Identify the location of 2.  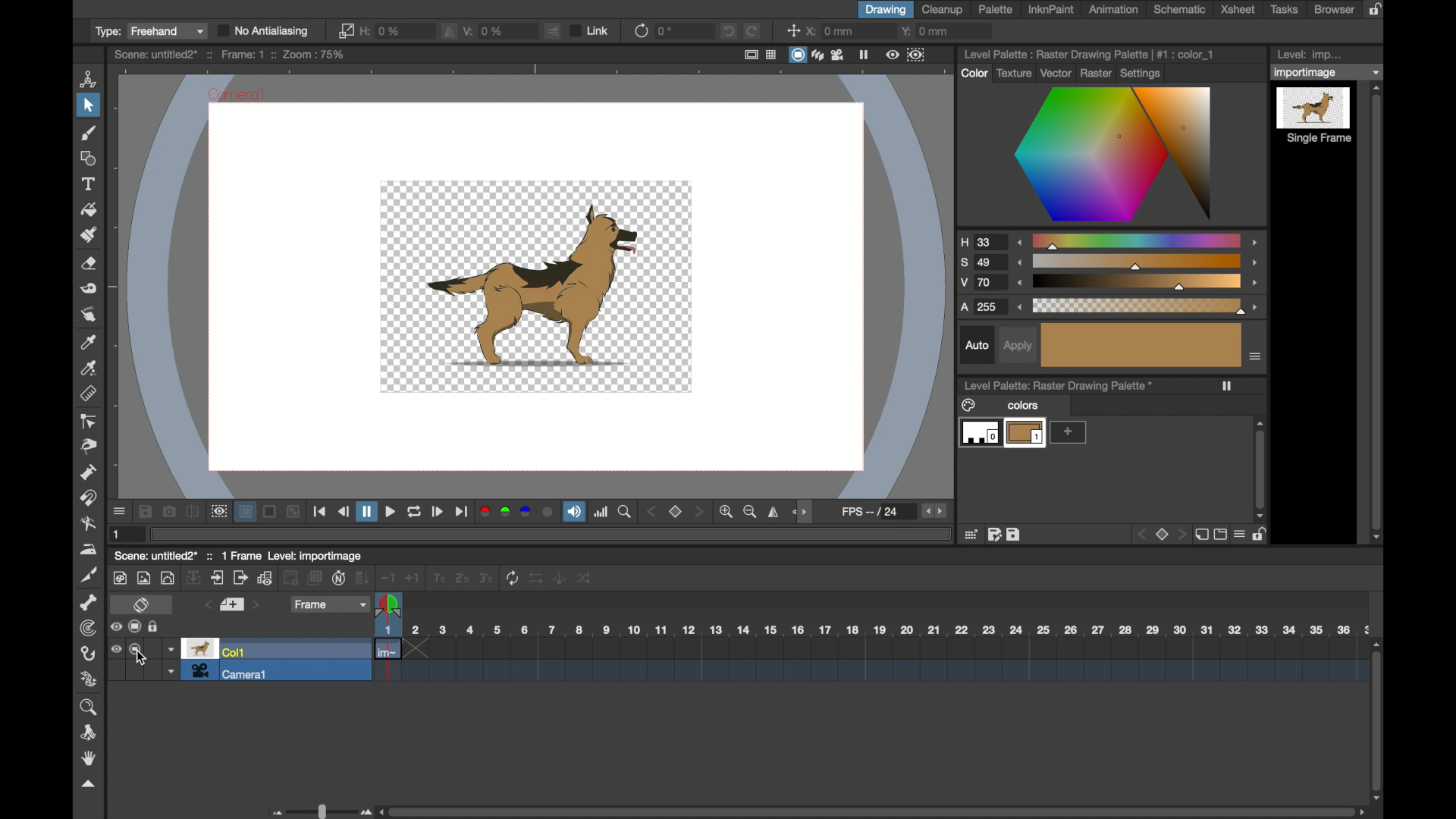
(460, 579).